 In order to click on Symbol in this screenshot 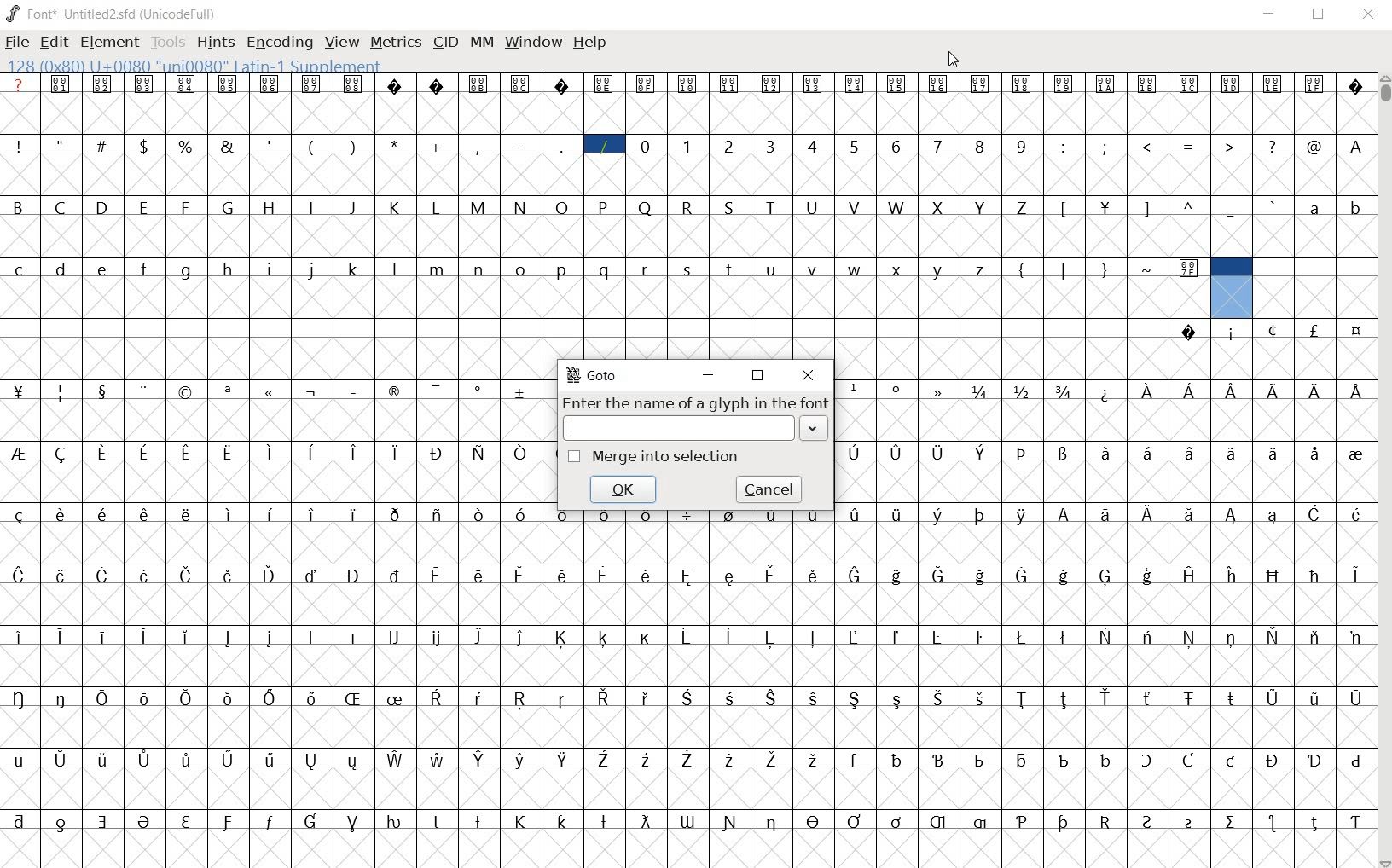, I will do `click(1192, 333)`.